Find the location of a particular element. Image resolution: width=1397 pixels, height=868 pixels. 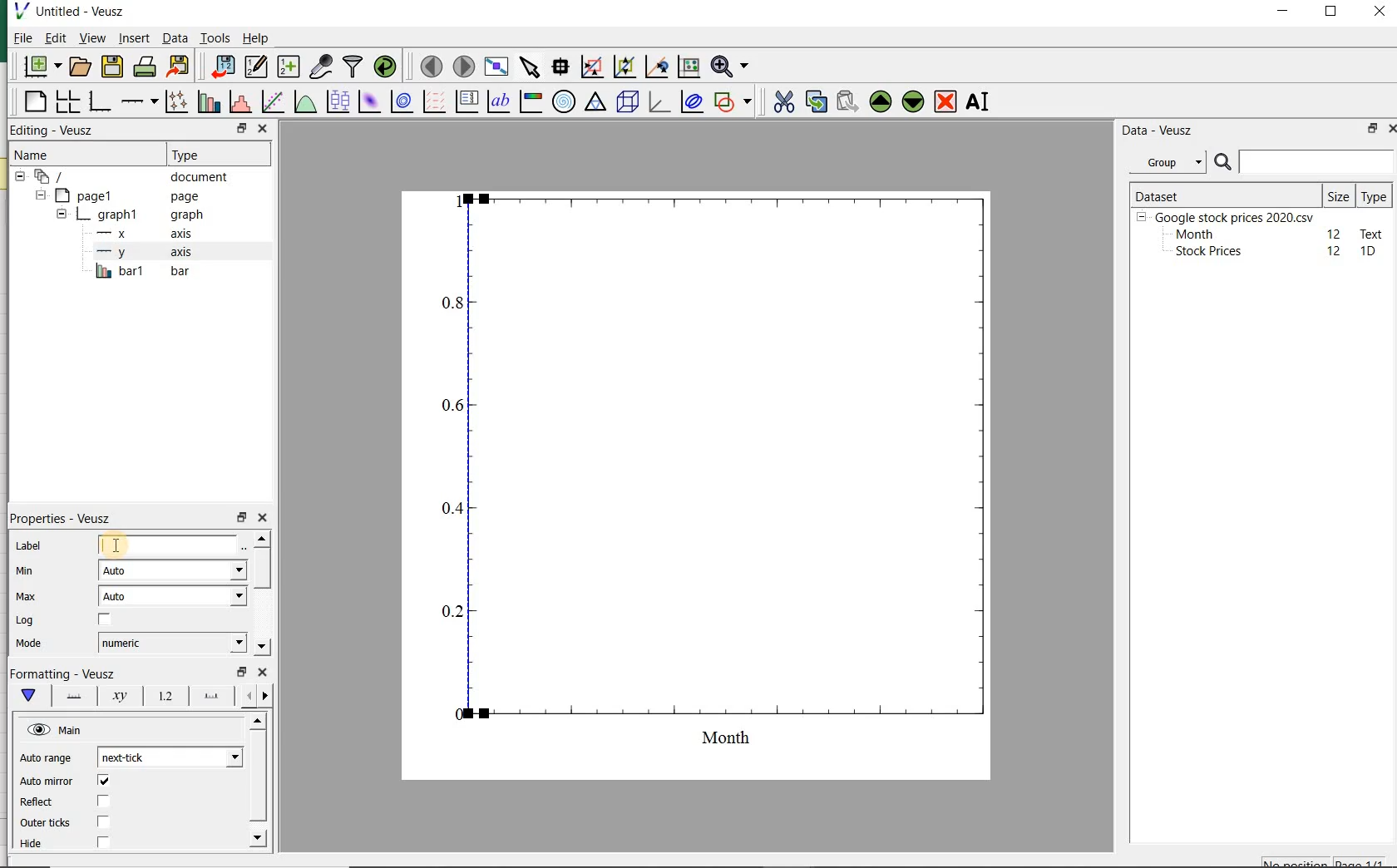

plot a 2d dataset as an image is located at coordinates (368, 101).